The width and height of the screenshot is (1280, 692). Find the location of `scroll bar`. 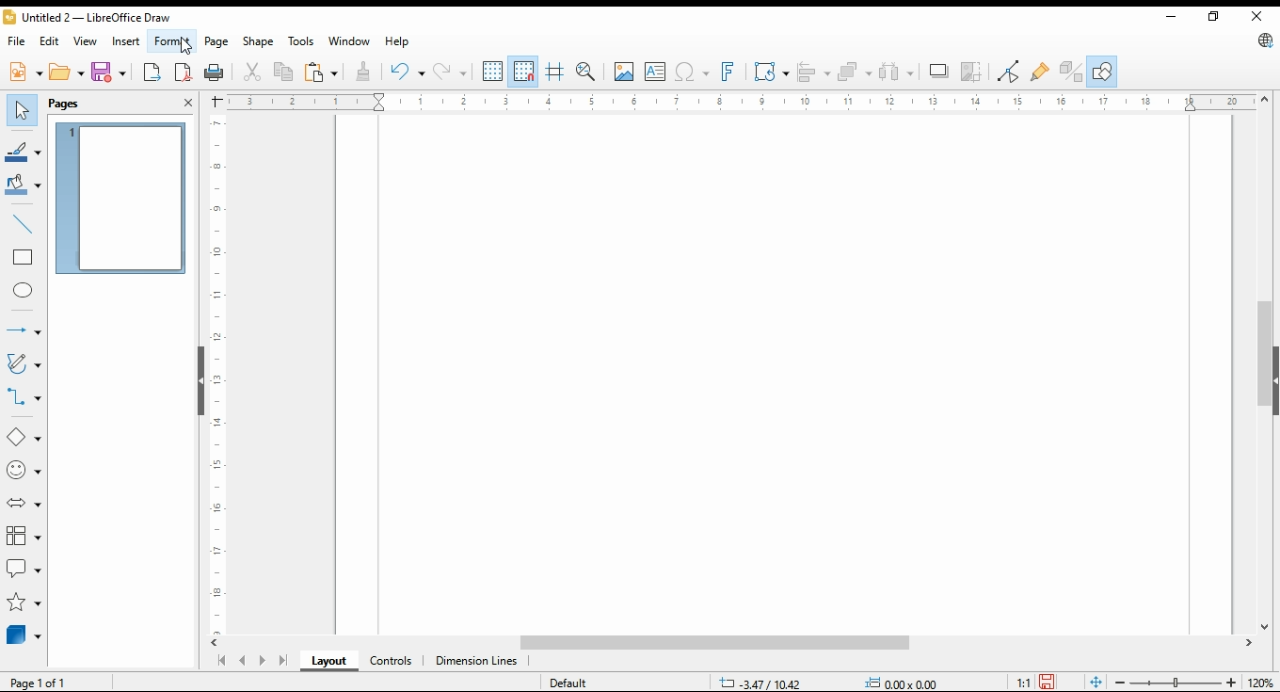

scroll bar is located at coordinates (1264, 363).